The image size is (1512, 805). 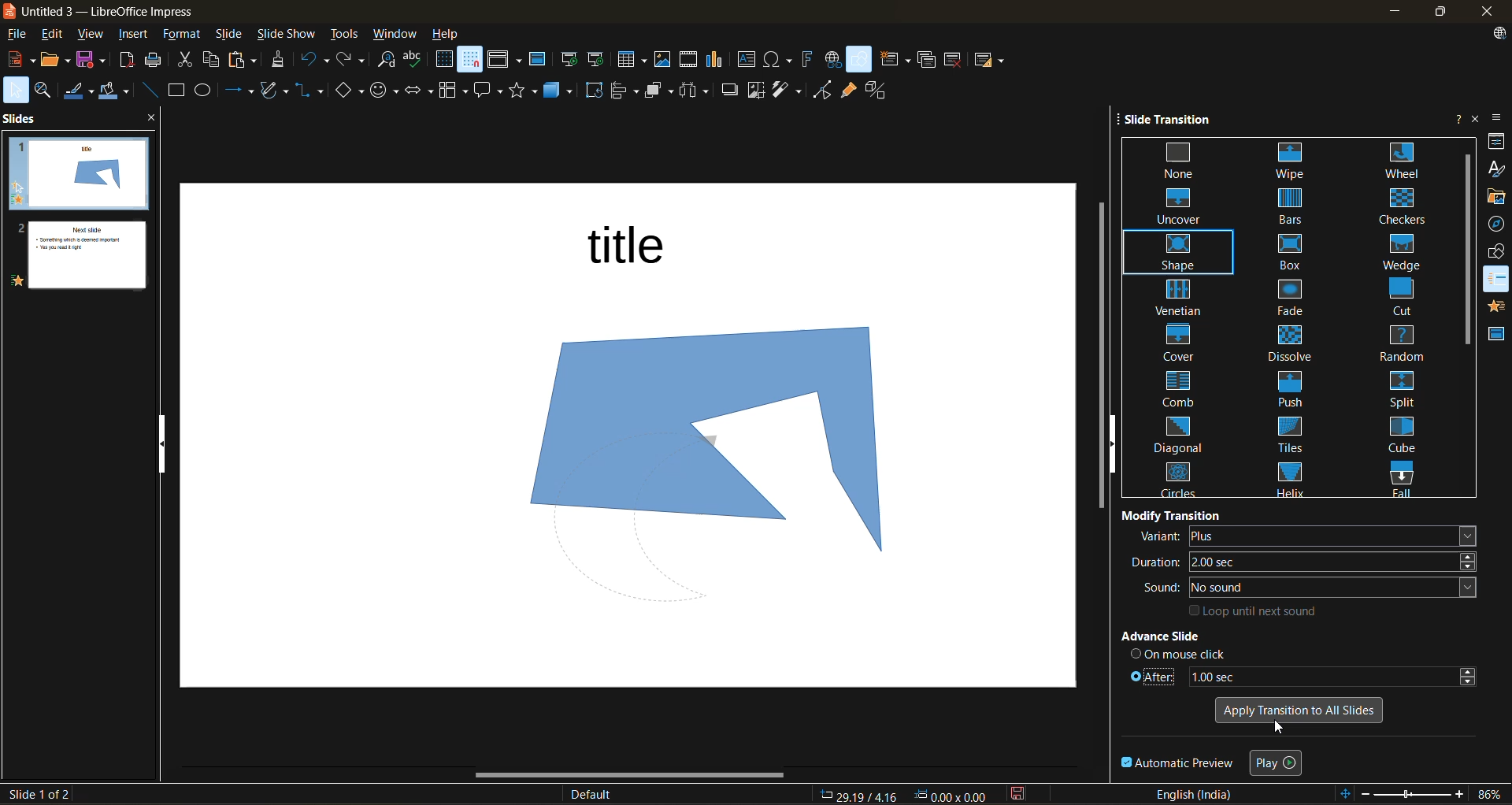 I want to click on crop image, so click(x=755, y=90).